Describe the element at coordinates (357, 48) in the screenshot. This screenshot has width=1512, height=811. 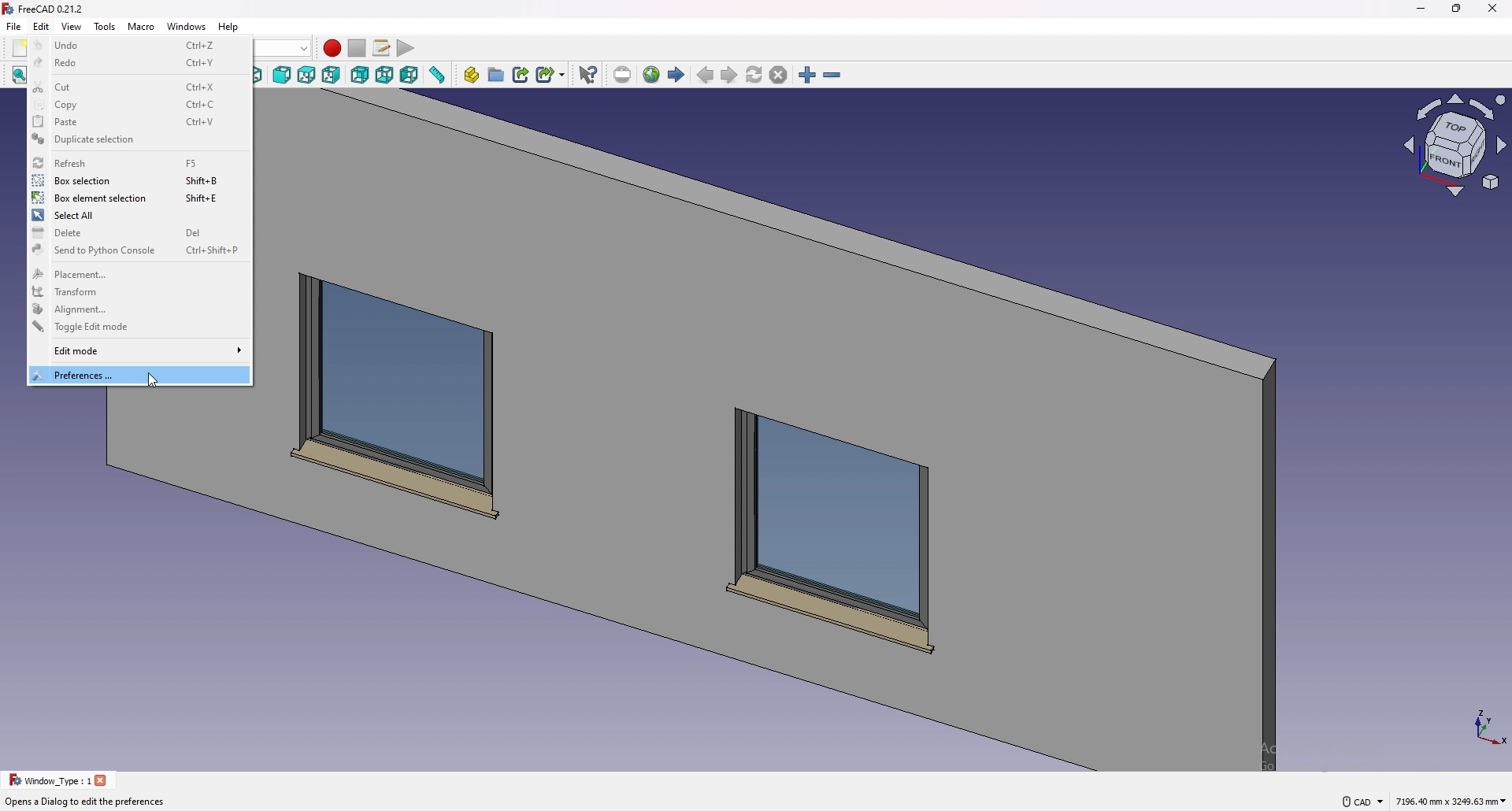
I see `stop recording macros` at that location.